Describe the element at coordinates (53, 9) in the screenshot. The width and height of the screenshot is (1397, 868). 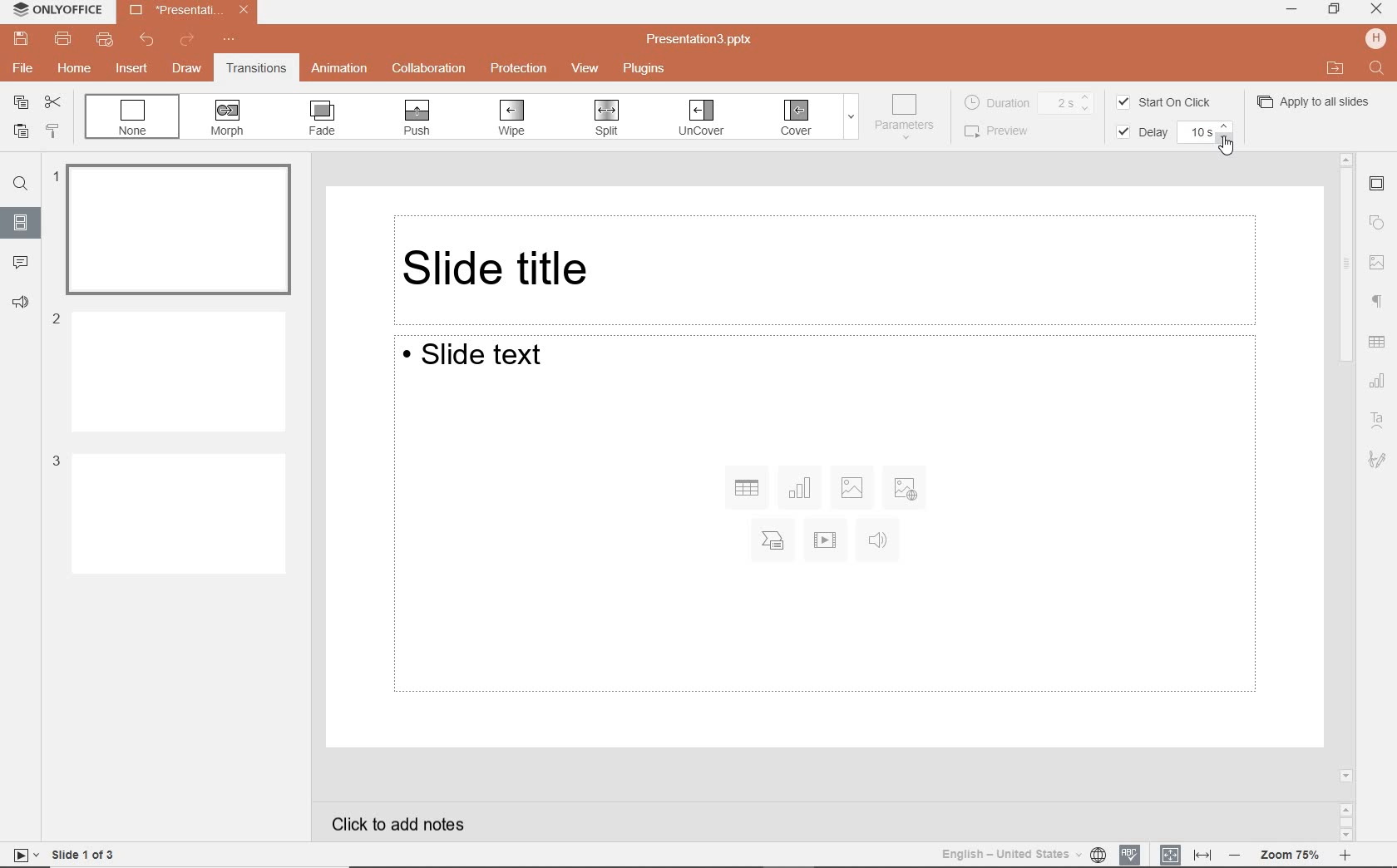
I see `ONLYOFFICE` at that location.